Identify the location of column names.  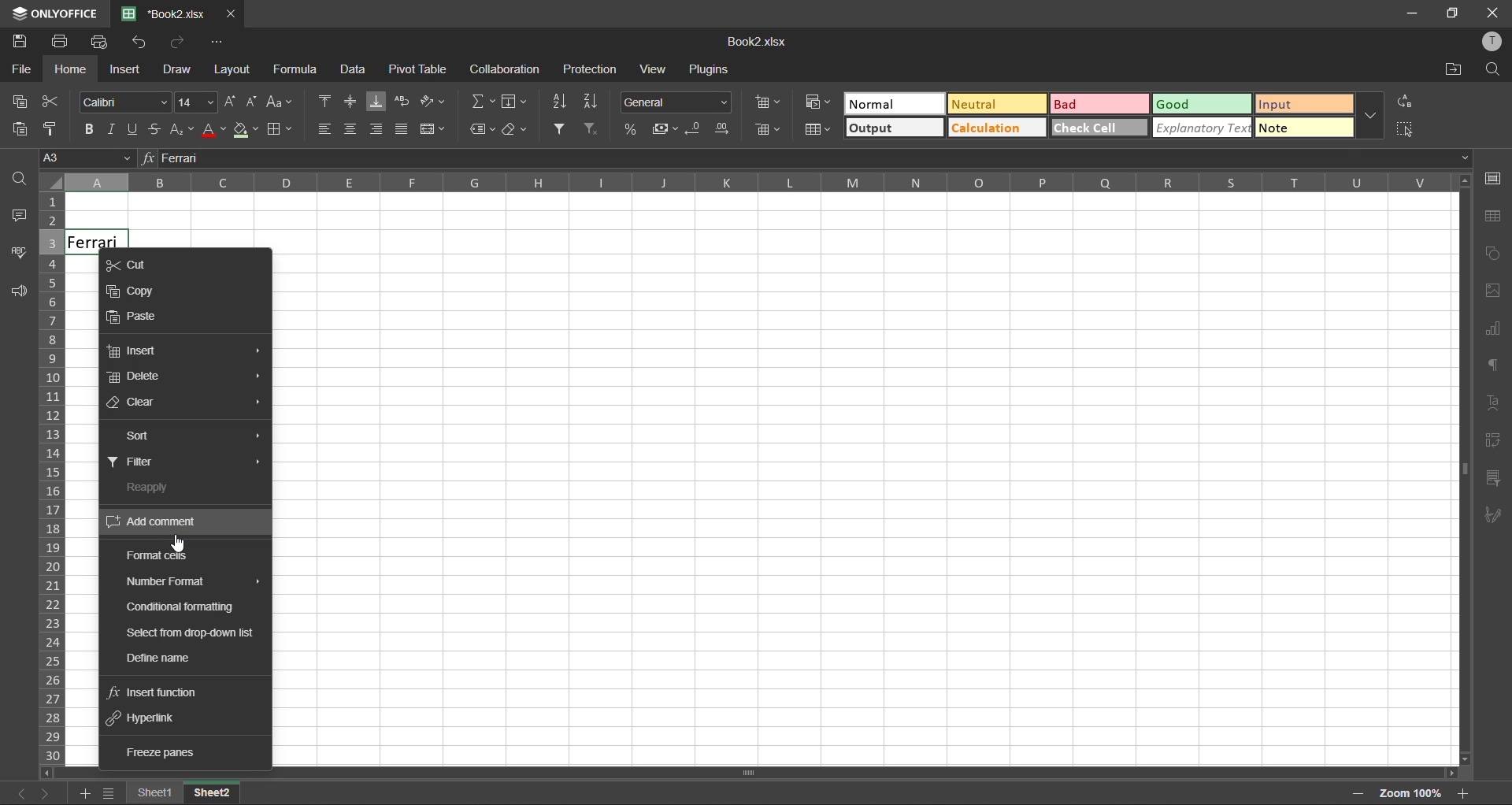
(750, 184).